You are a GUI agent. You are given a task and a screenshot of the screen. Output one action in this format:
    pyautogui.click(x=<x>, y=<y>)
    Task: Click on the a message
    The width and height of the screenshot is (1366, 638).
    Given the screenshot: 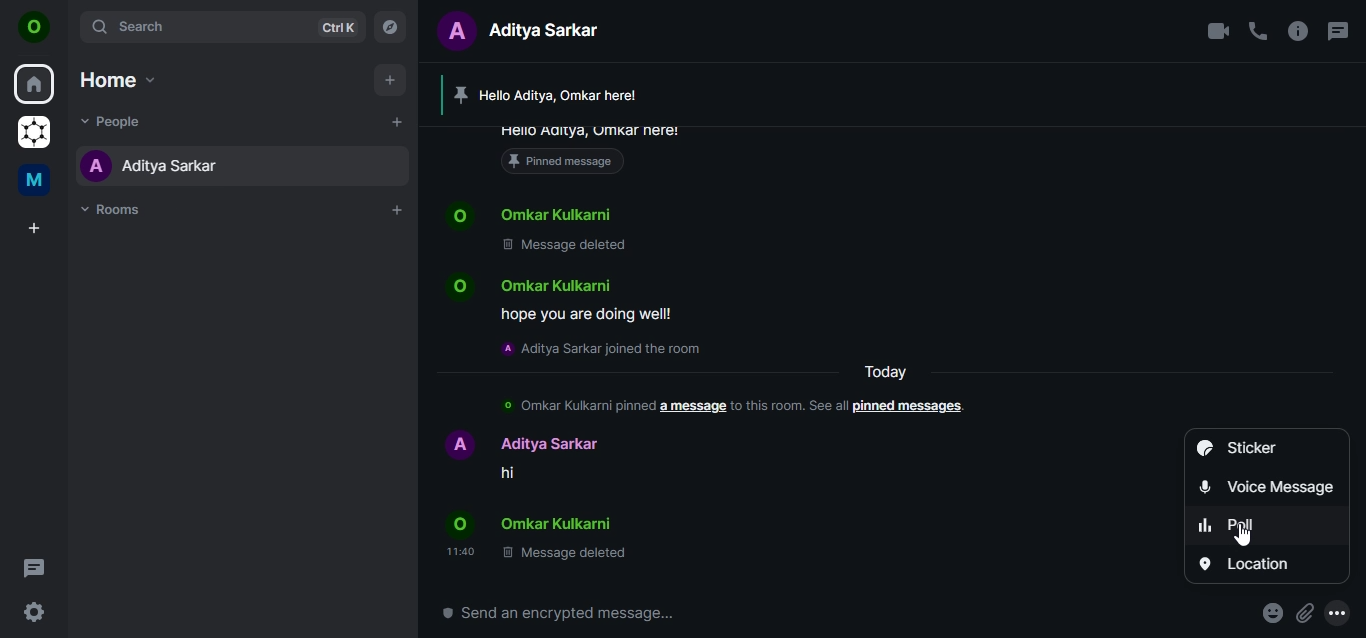 What is the action you would take?
    pyautogui.click(x=692, y=404)
    